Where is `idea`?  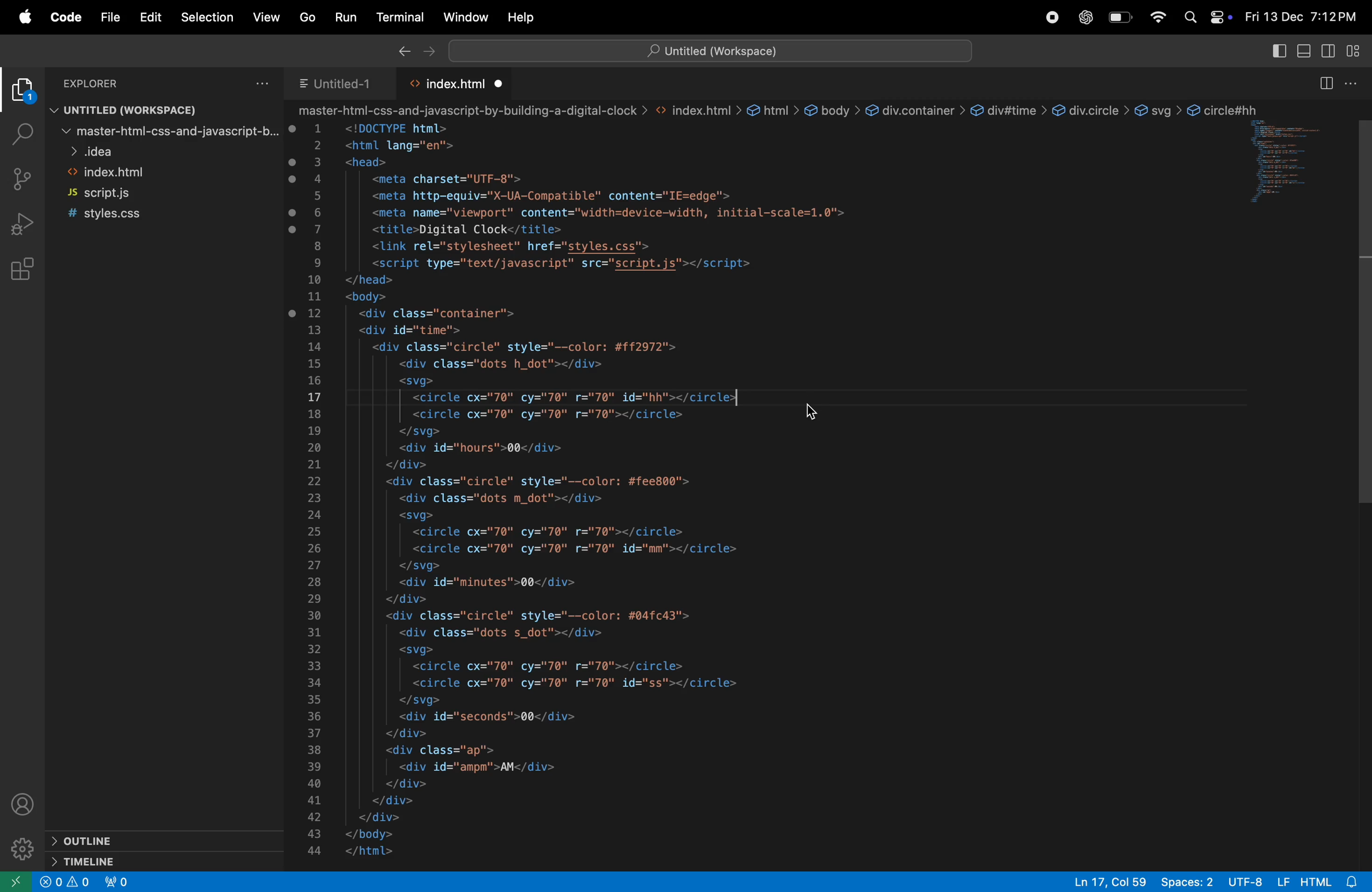
idea is located at coordinates (160, 153).